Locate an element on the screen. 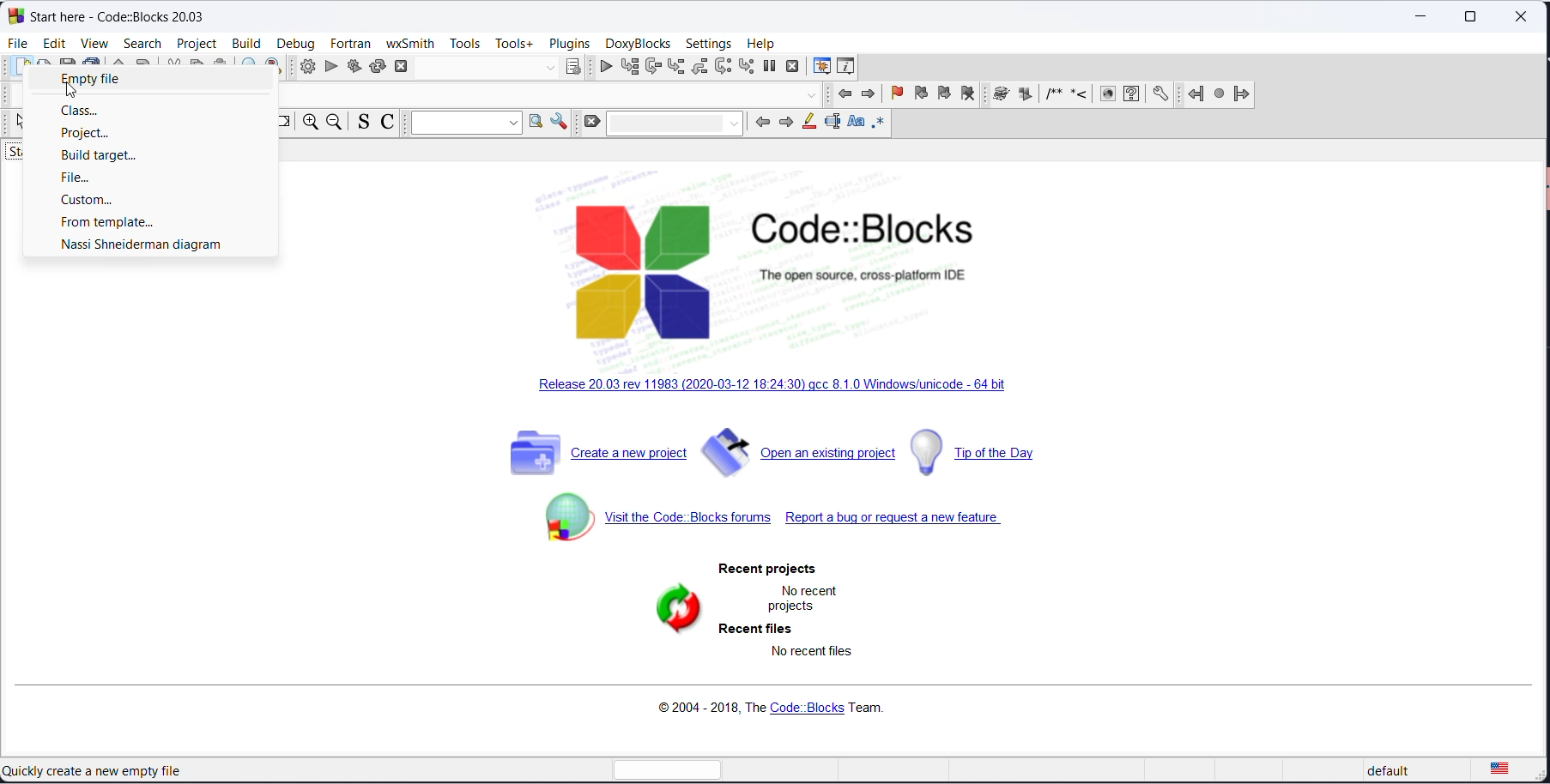 This screenshot has width=1550, height=784. selected text is located at coordinates (833, 125).